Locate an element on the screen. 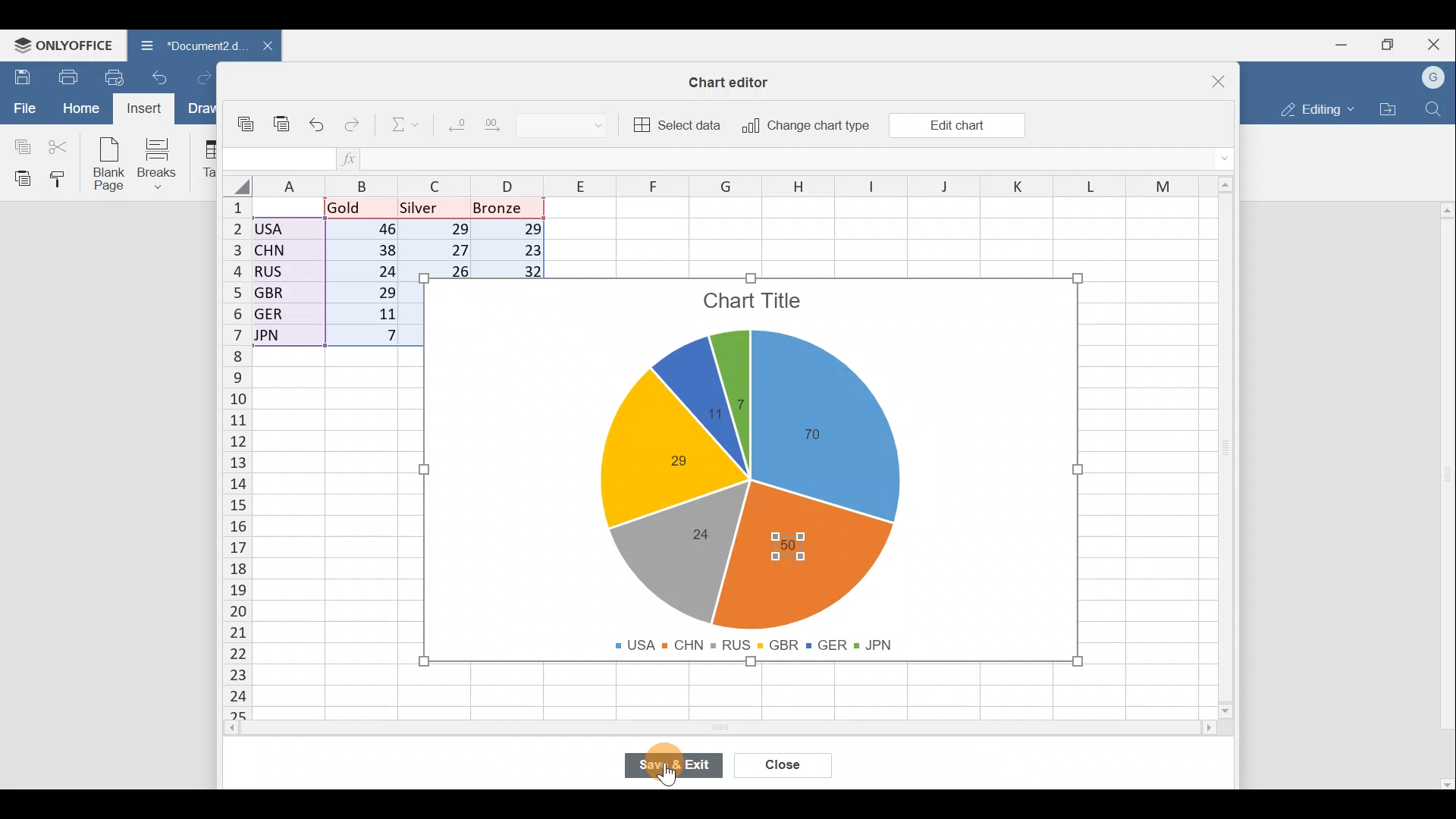  Cursor on Save & exit is located at coordinates (682, 767).